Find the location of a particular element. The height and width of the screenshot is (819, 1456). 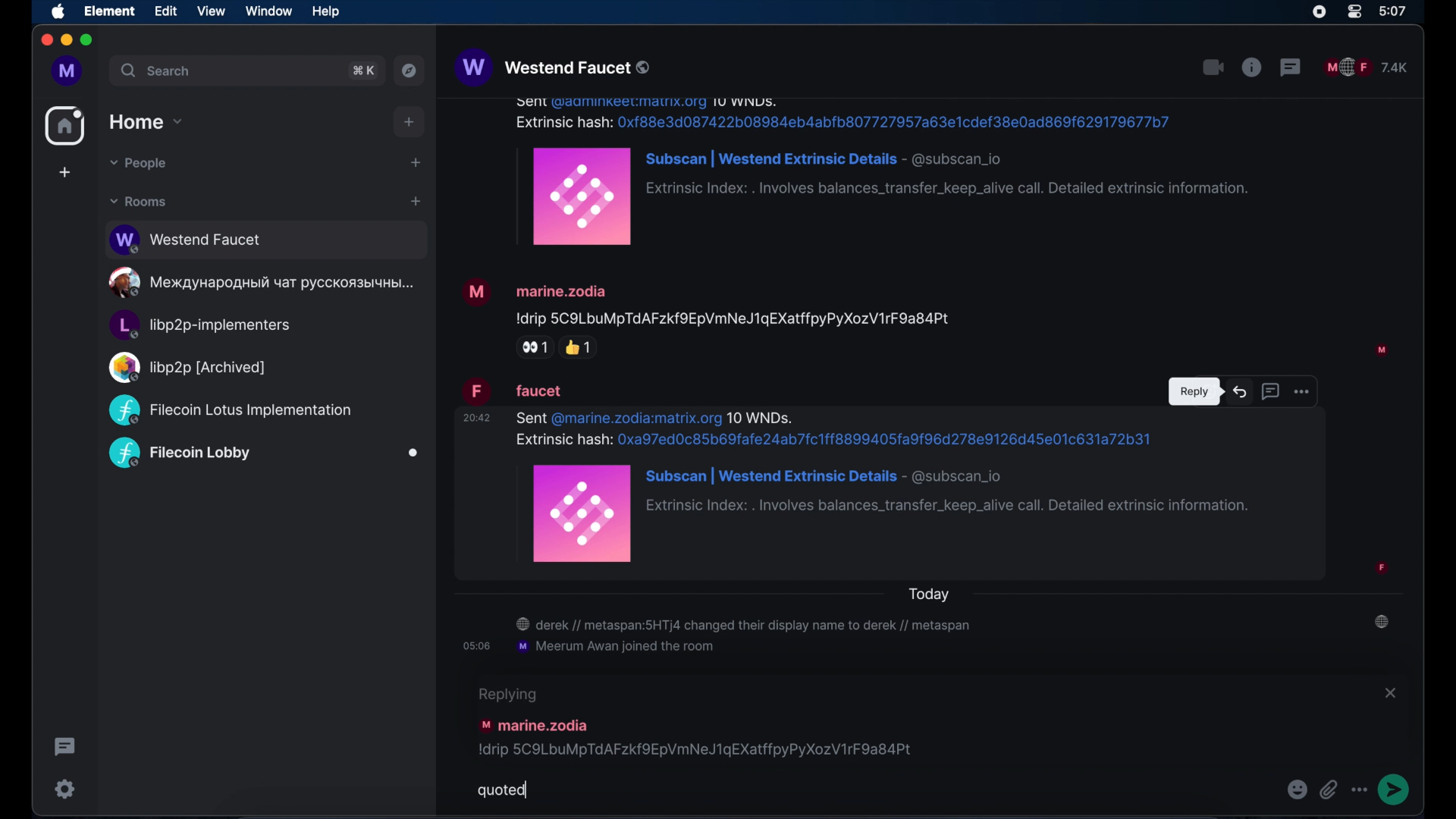

search is located at coordinates (155, 71).